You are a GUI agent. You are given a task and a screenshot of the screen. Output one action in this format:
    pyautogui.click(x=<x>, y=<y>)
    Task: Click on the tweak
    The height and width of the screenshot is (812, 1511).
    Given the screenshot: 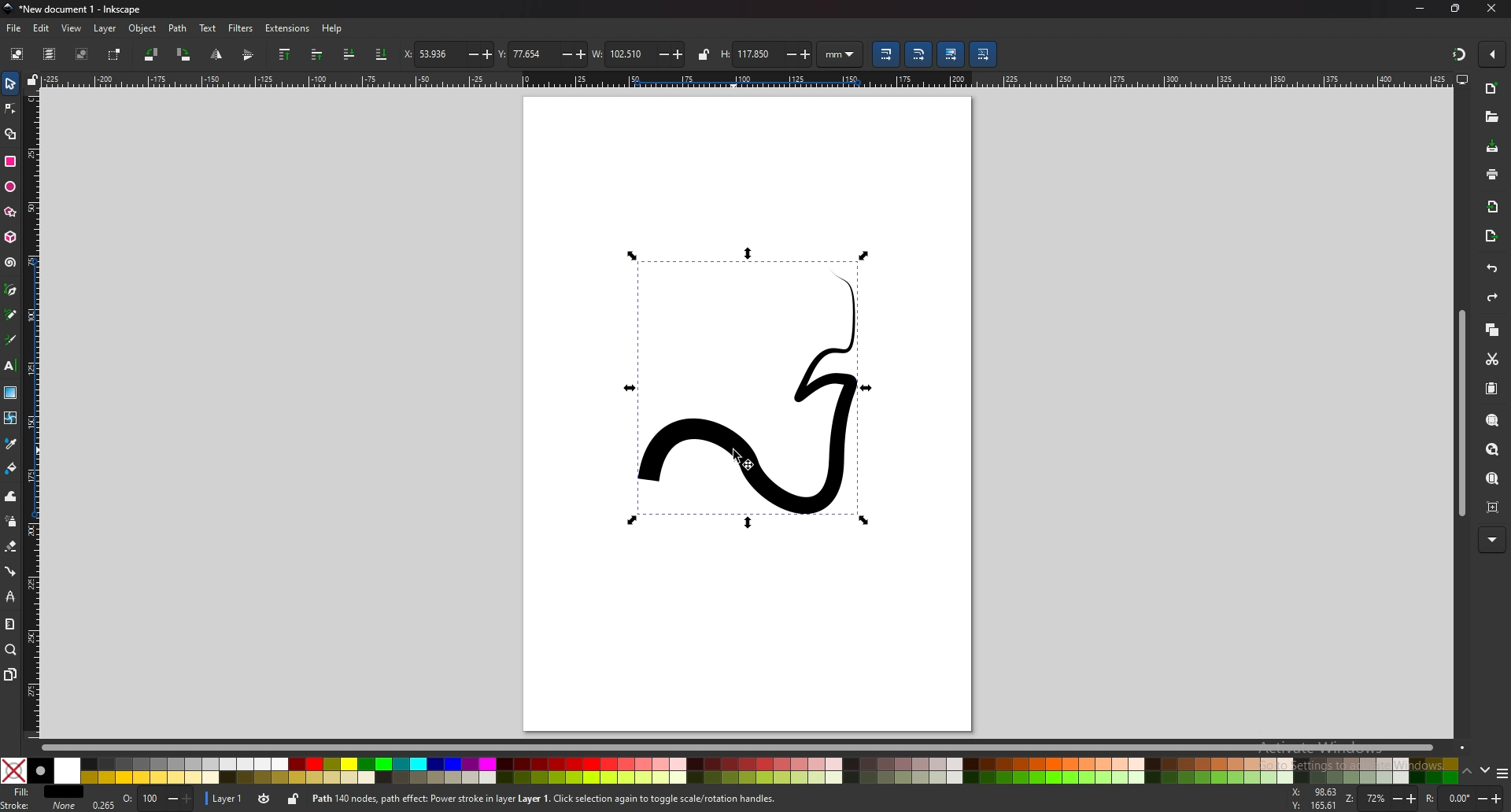 What is the action you would take?
    pyautogui.click(x=11, y=496)
    